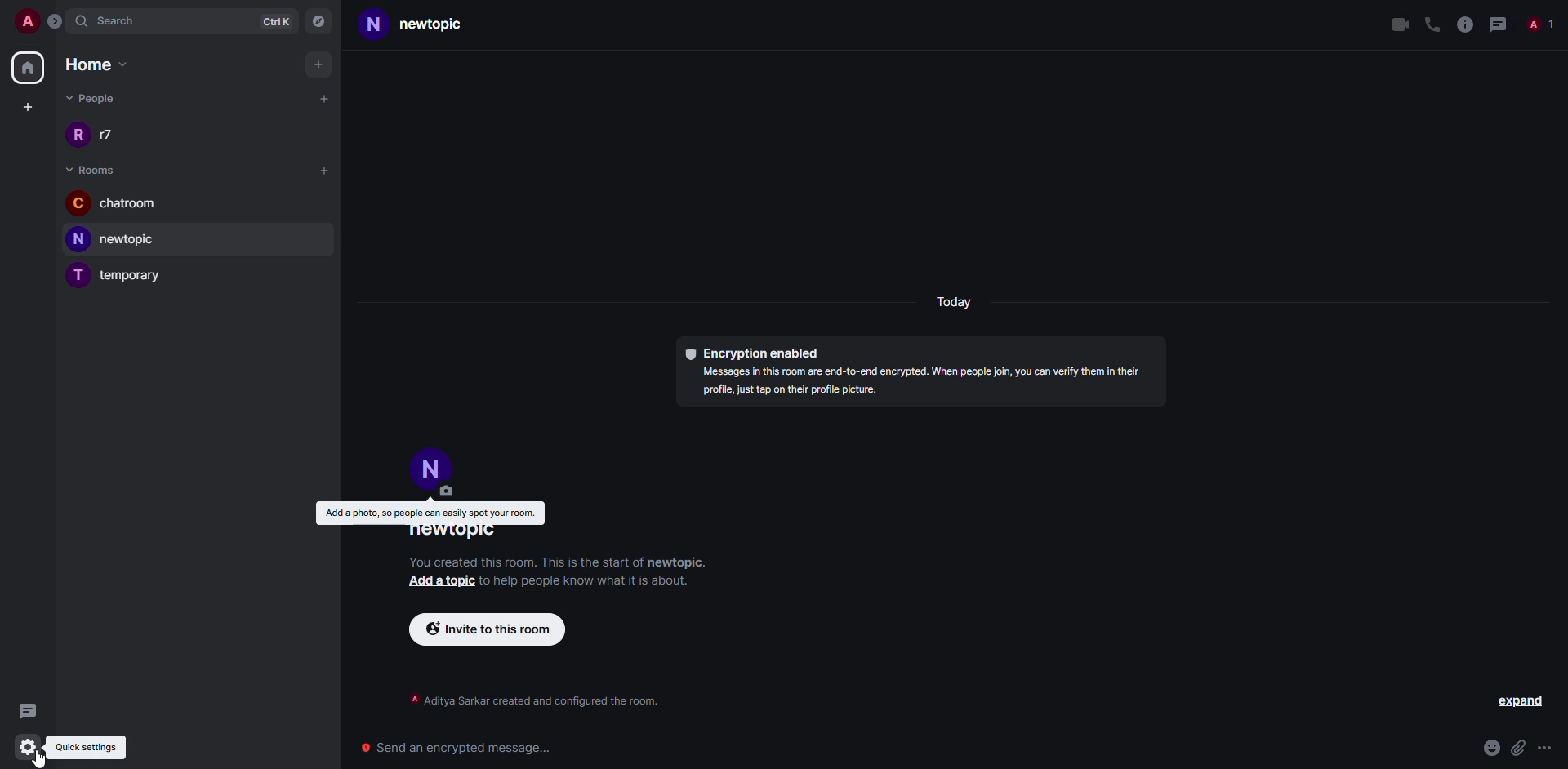 Image resolution: width=1568 pixels, height=769 pixels. I want to click on encryption enabled, so click(757, 352).